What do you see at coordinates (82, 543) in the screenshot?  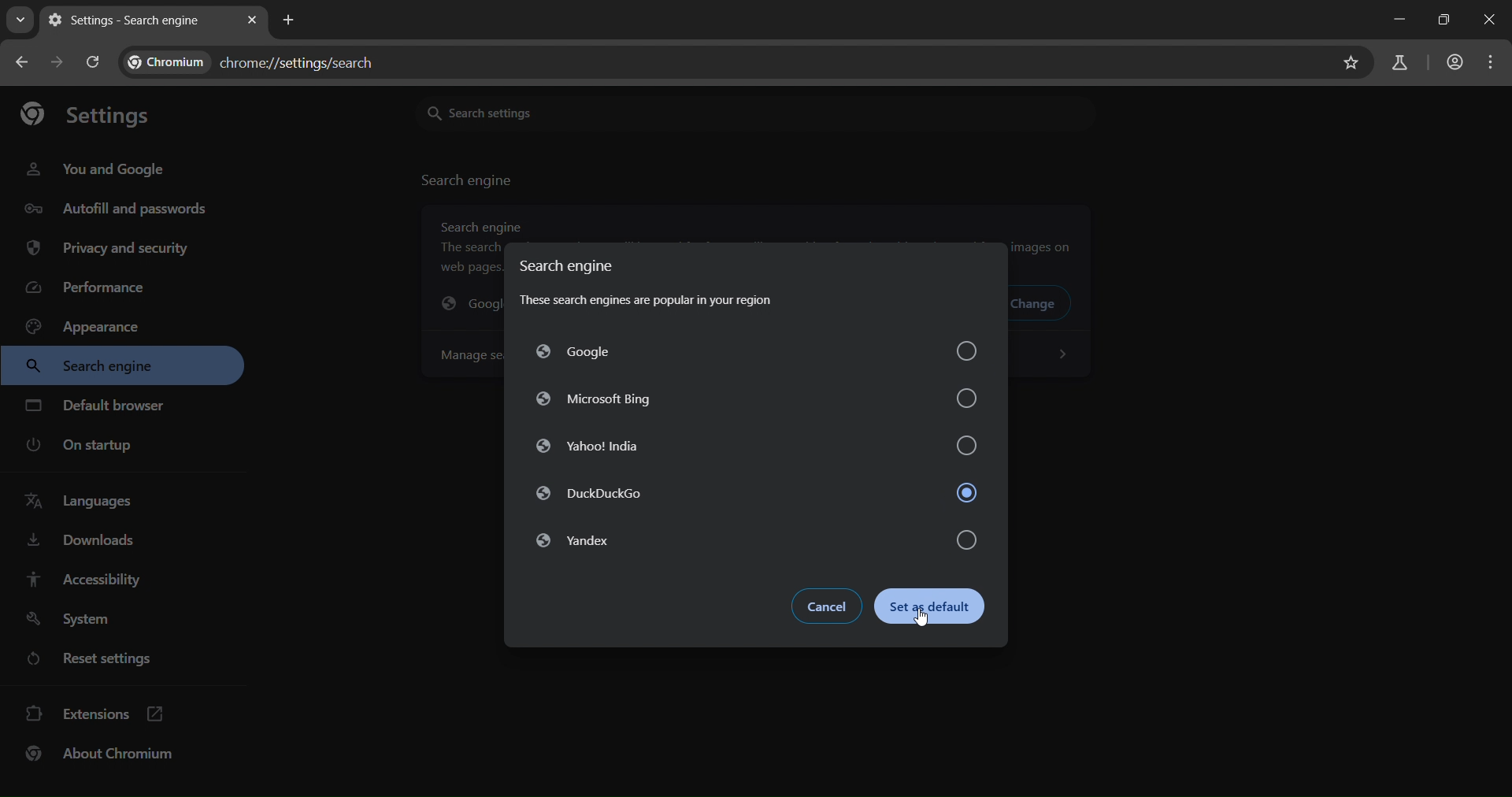 I see `downloads` at bounding box center [82, 543].